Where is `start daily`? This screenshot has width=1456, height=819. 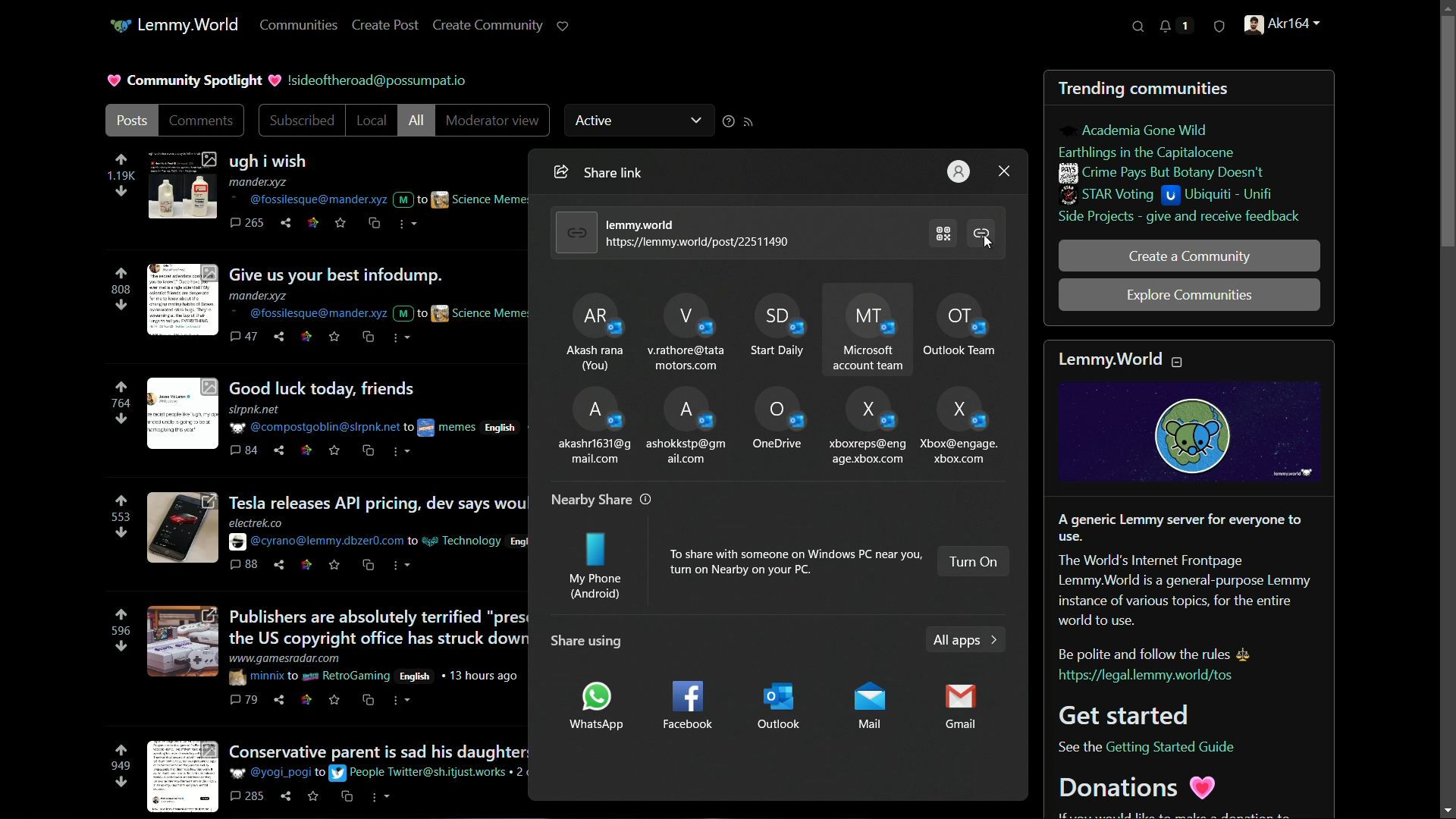 start daily is located at coordinates (777, 328).